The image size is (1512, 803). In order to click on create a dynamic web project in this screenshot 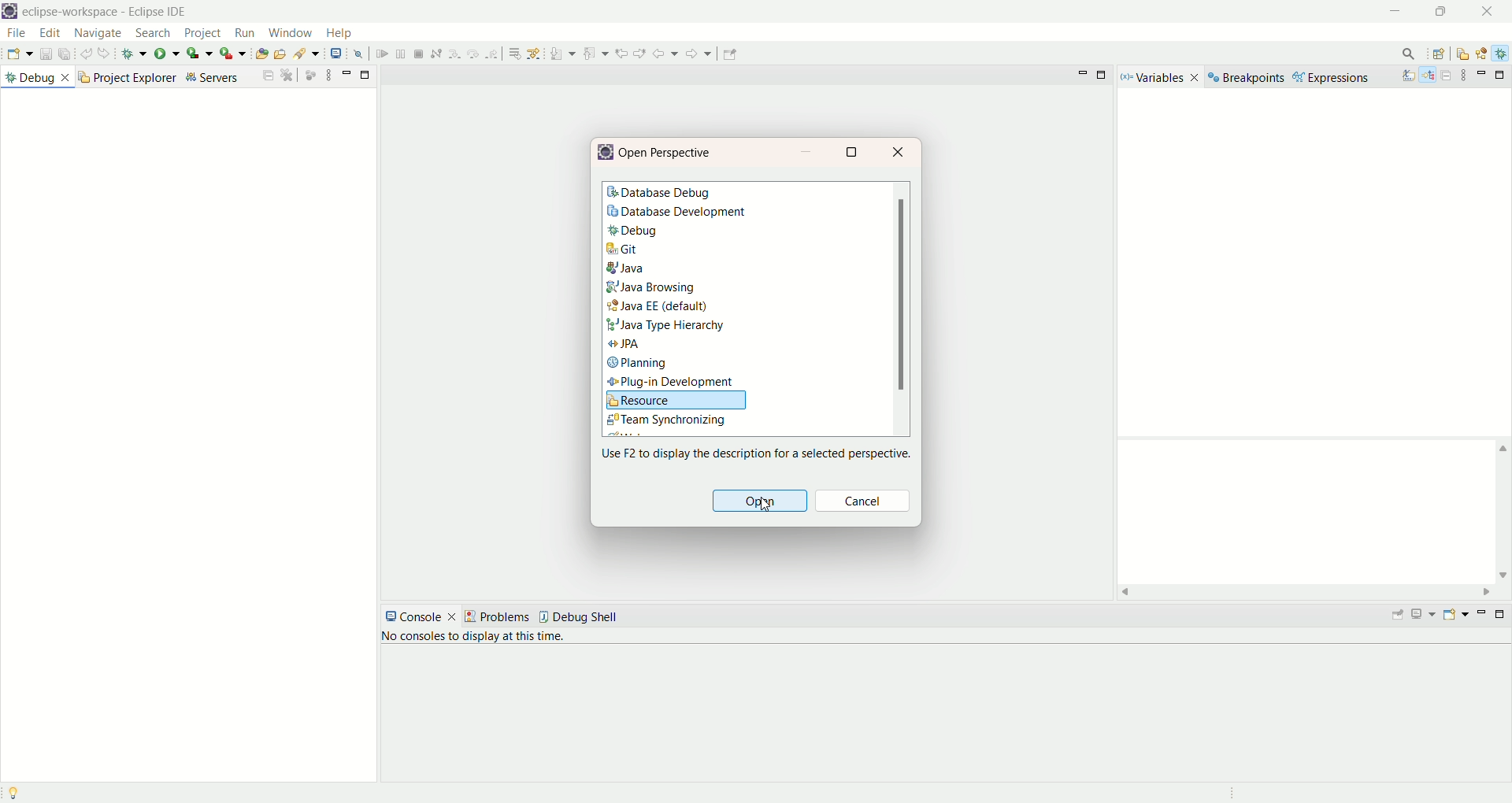, I will do `click(269, 55)`.